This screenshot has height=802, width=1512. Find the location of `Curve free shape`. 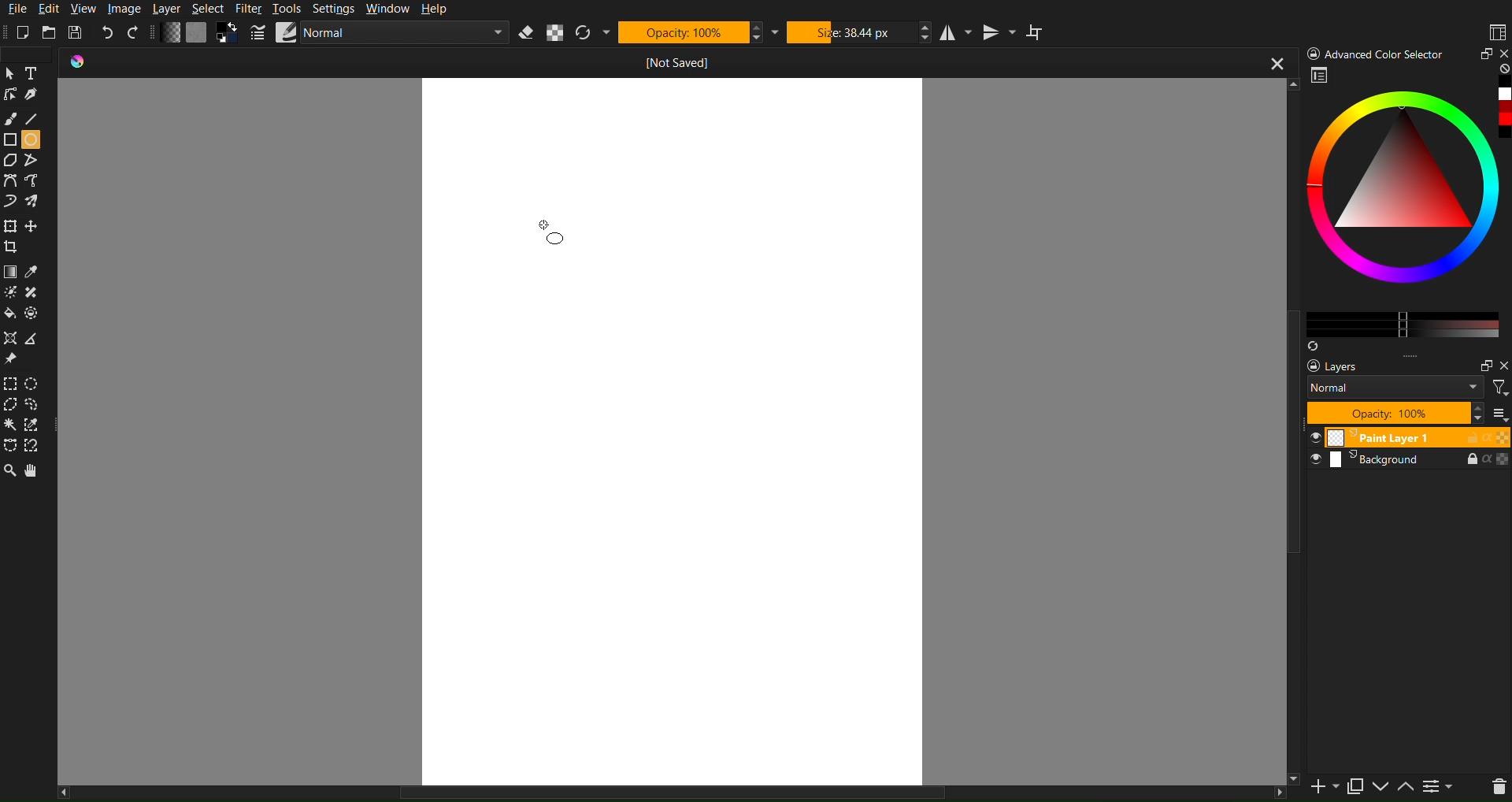

Curve free shape is located at coordinates (34, 201).